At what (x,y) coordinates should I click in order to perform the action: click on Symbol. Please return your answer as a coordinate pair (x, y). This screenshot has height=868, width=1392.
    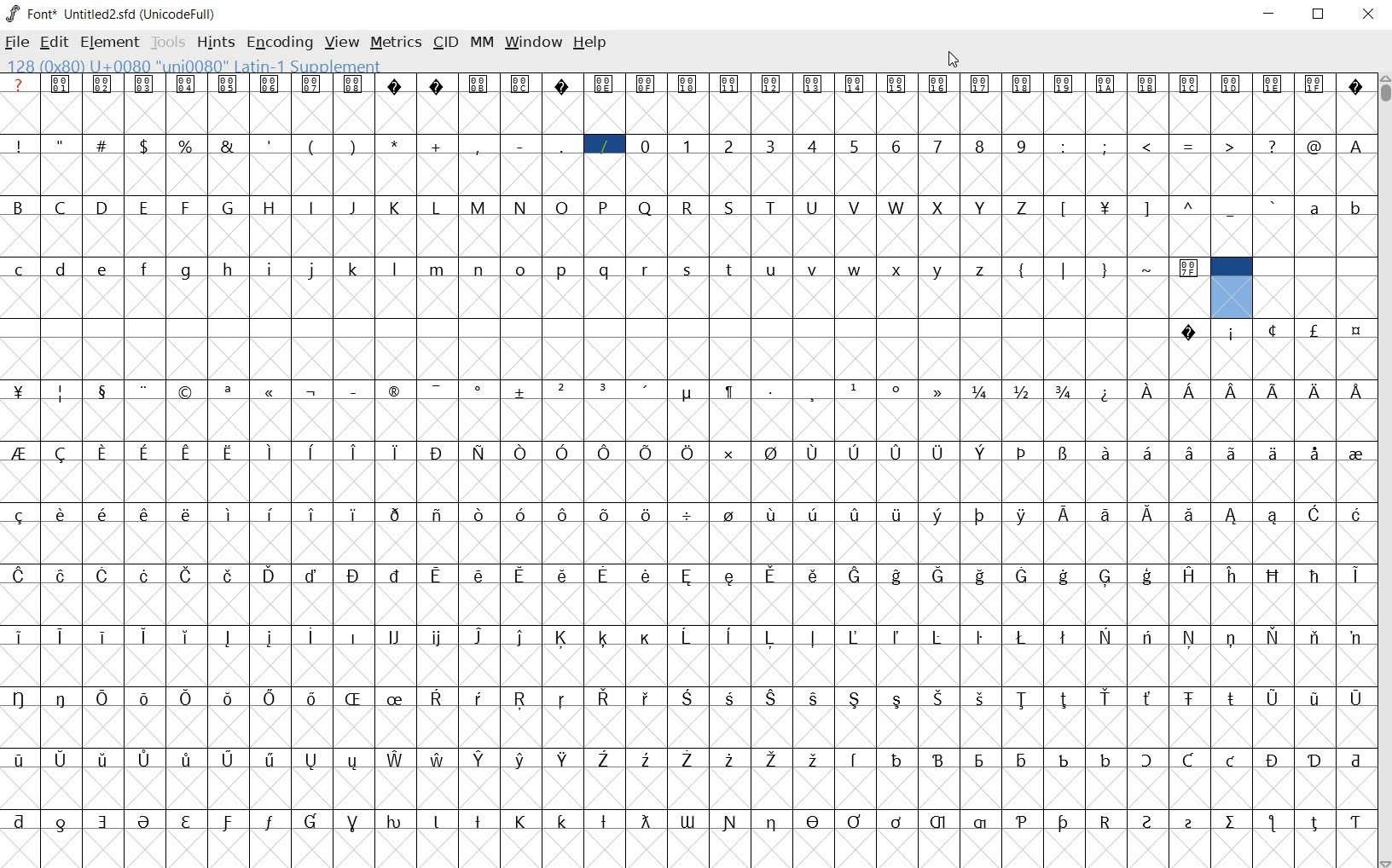
    Looking at the image, I should click on (351, 84).